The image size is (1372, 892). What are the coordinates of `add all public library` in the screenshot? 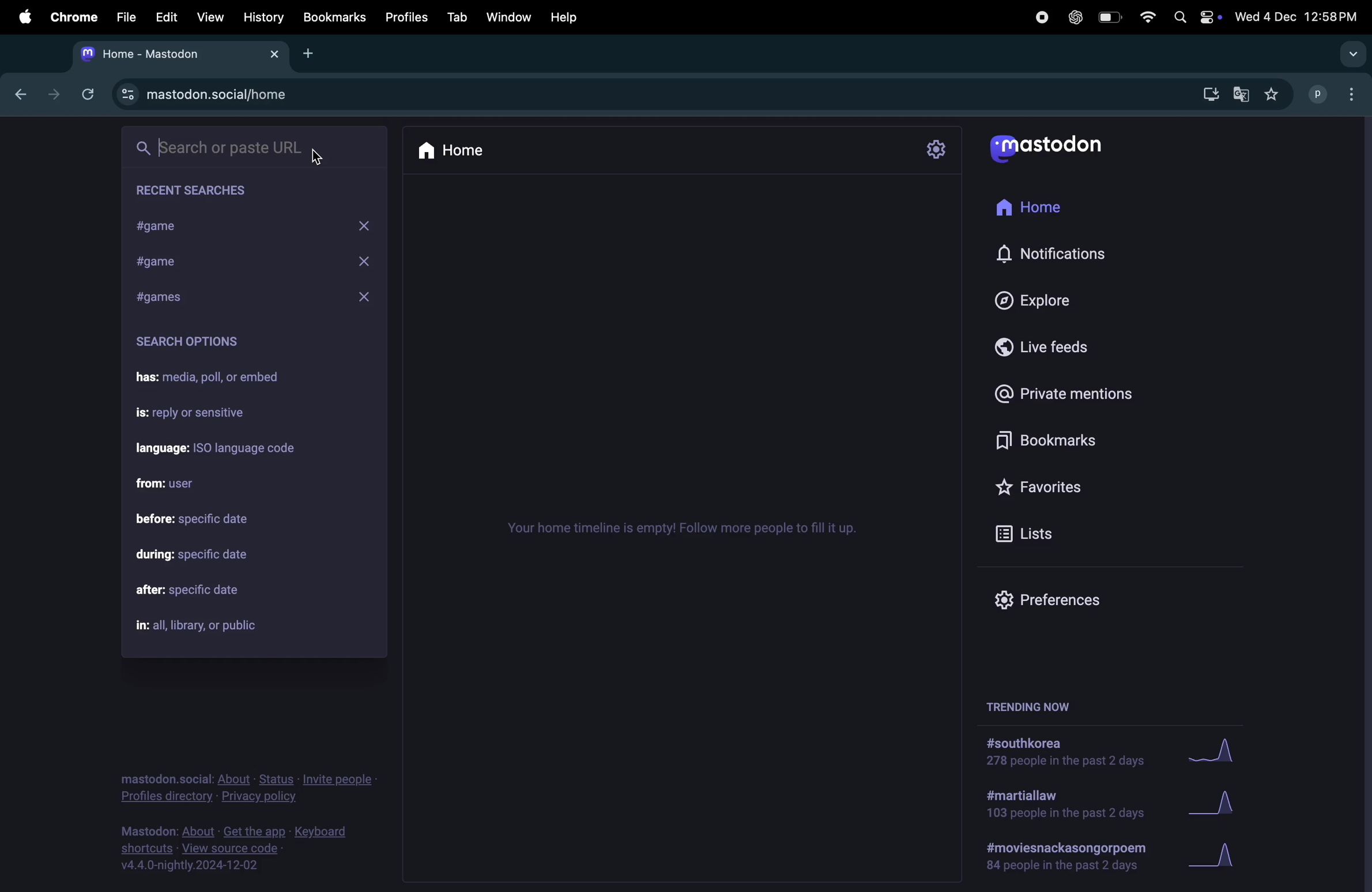 It's located at (207, 626).